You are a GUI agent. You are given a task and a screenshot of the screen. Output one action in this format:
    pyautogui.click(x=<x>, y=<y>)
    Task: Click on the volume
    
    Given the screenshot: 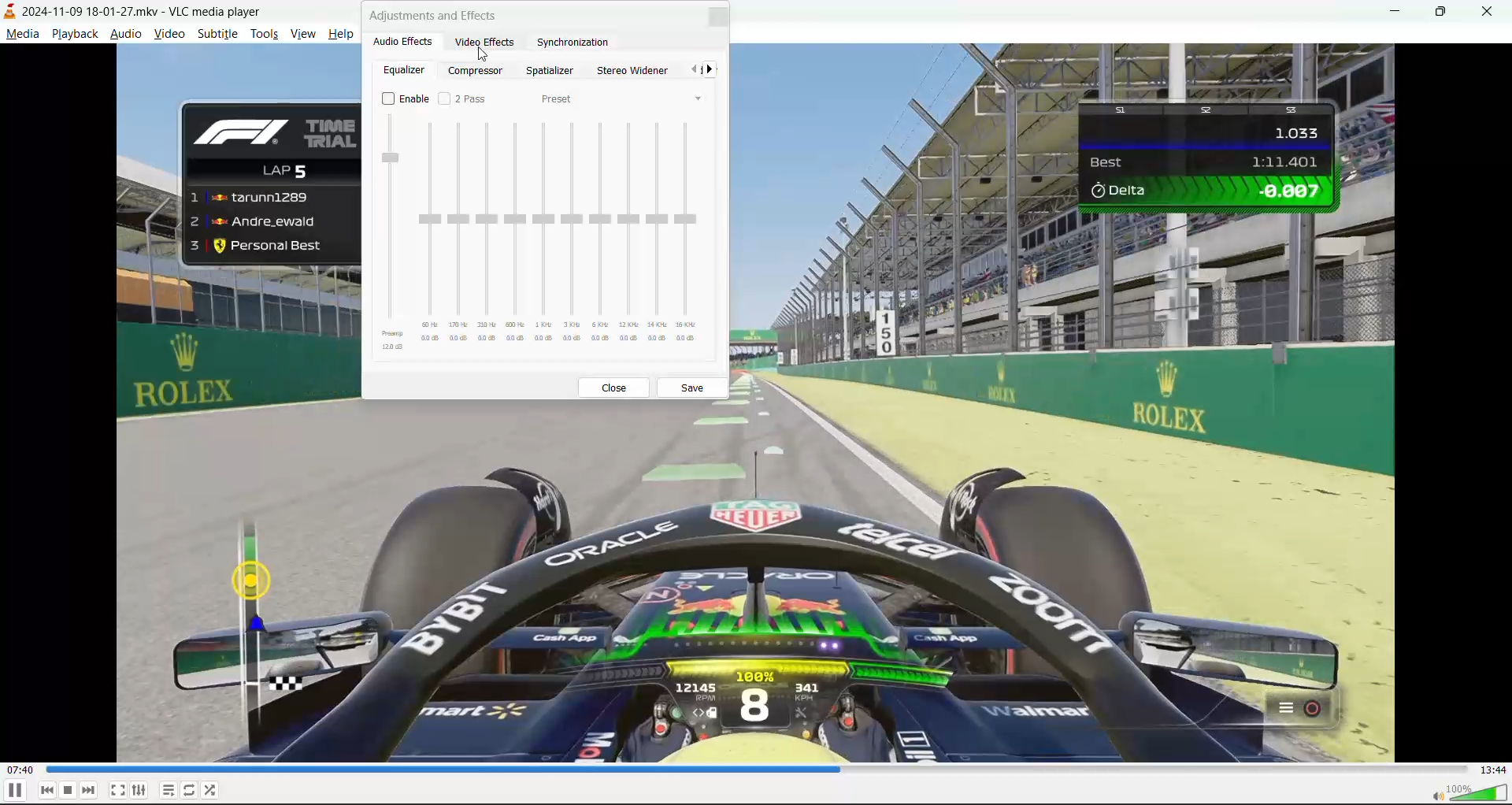 What is the action you would take?
    pyautogui.click(x=1468, y=792)
    